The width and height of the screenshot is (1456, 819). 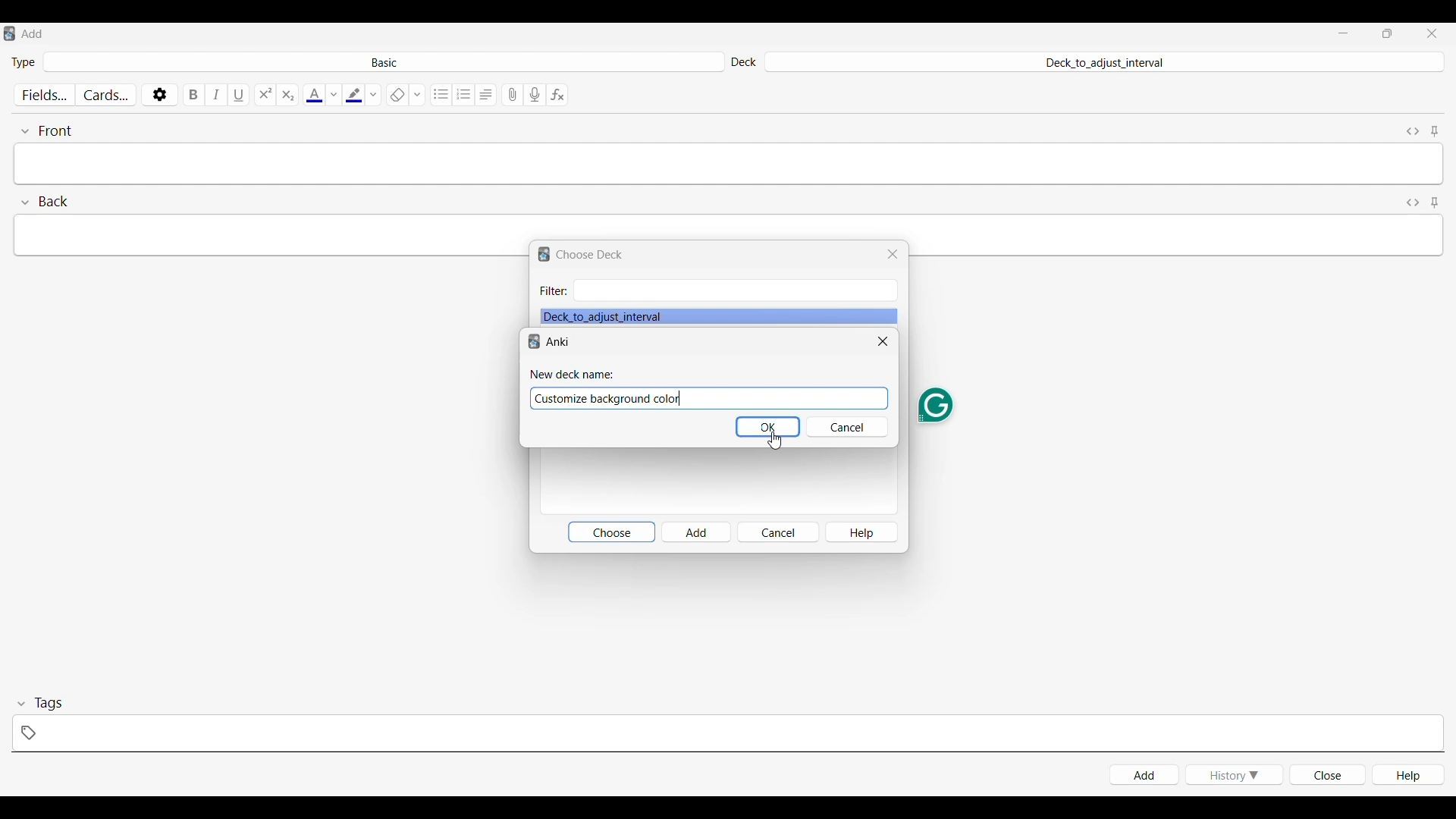 I want to click on Indicates Deck settings, so click(x=743, y=63).